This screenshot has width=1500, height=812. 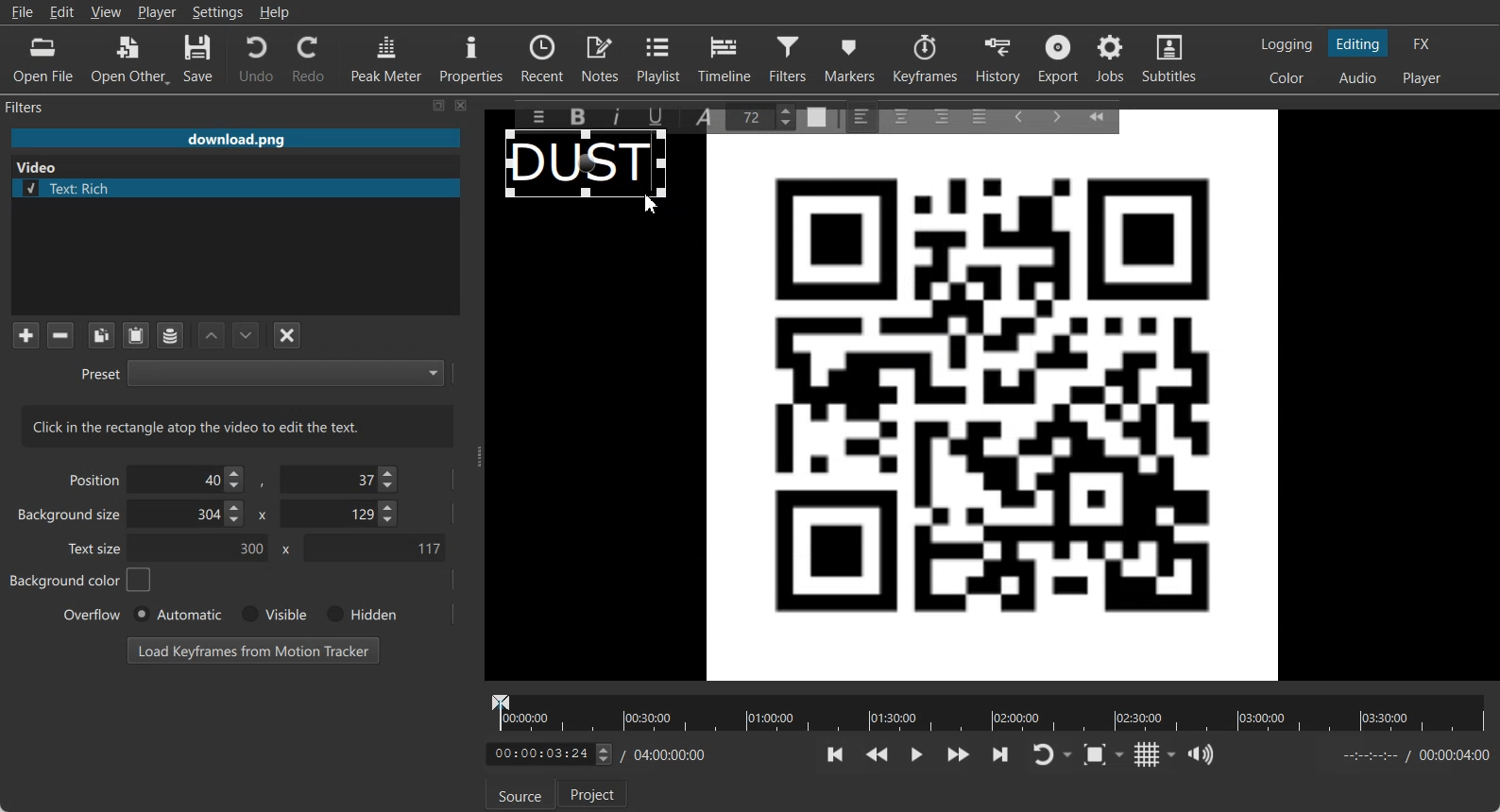 What do you see at coordinates (791, 58) in the screenshot?
I see `Filters` at bounding box center [791, 58].